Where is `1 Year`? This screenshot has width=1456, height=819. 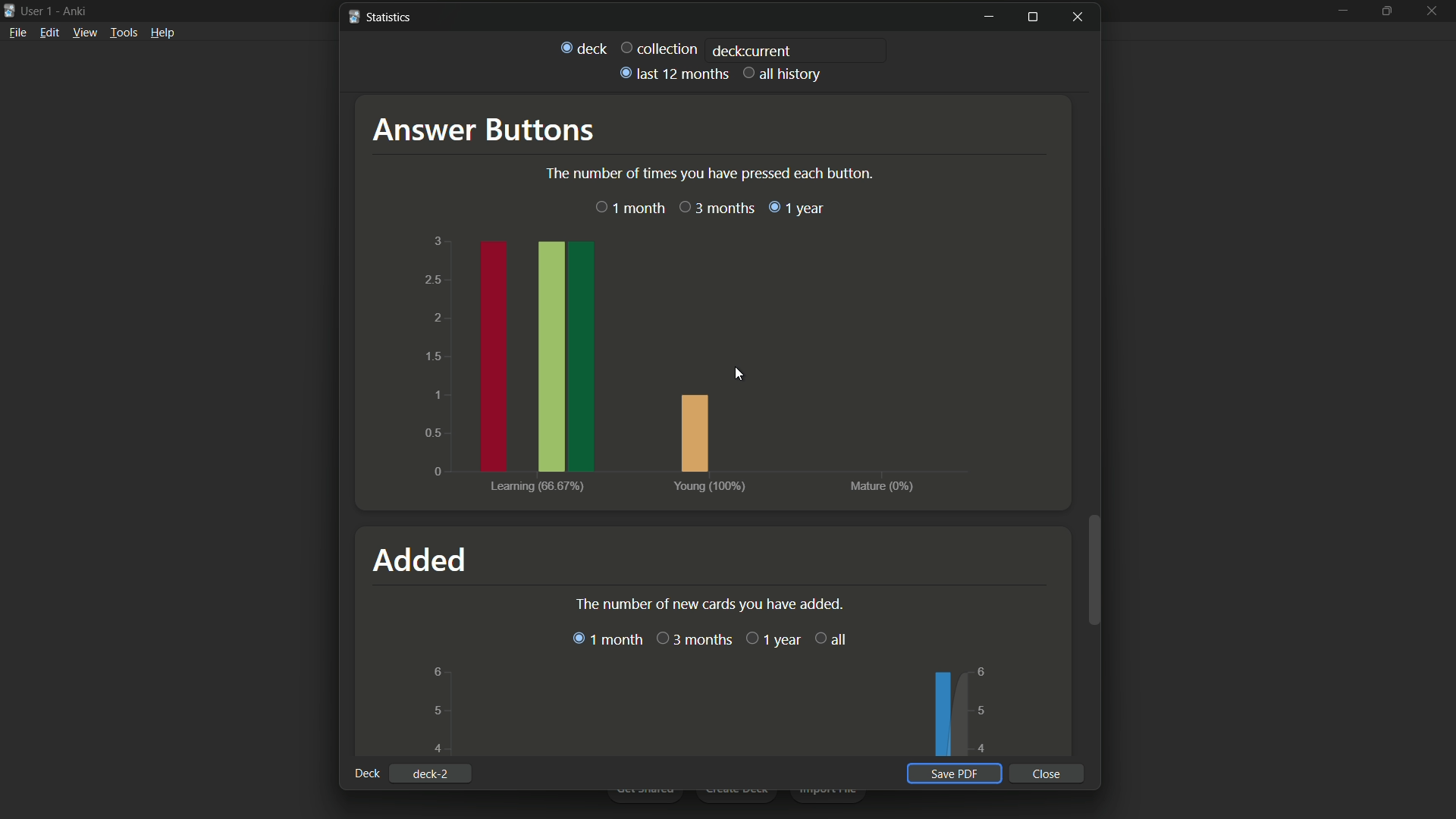
1 Year is located at coordinates (798, 209).